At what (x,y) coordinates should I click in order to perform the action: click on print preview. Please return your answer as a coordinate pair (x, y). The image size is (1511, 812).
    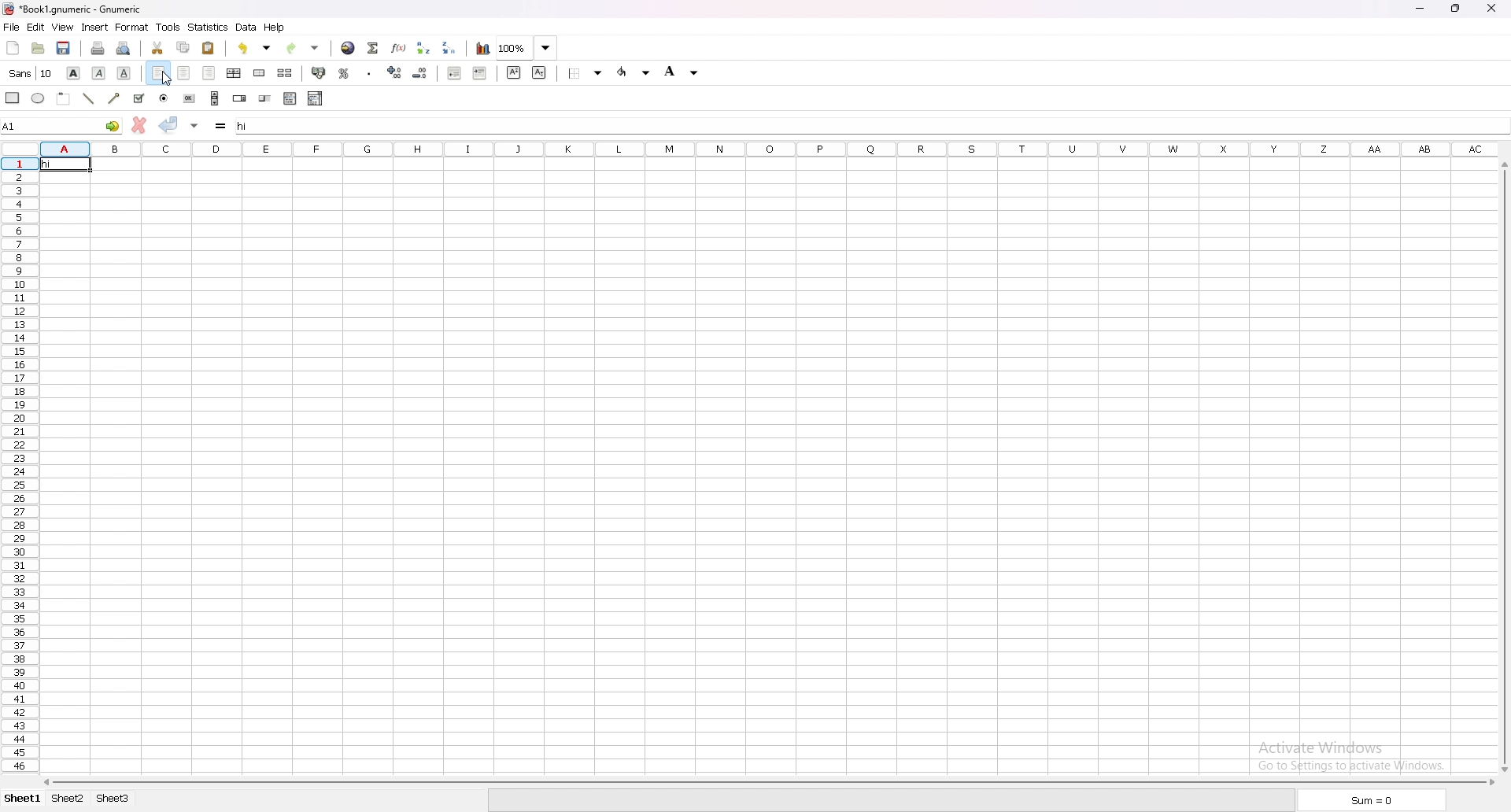
    Looking at the image, I should click on (122, 48).